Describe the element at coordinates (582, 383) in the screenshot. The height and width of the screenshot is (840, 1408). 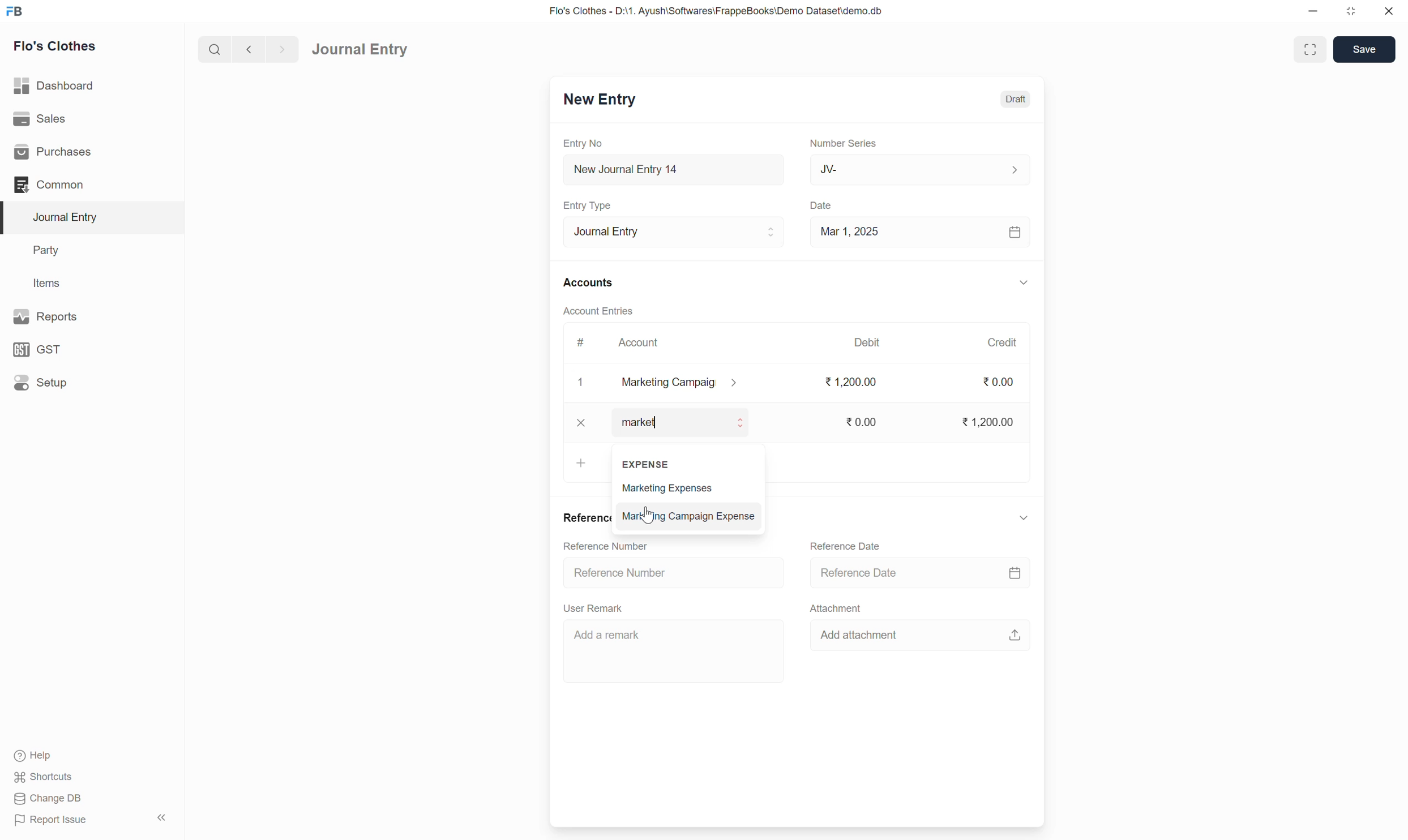
I see `1` at that location.